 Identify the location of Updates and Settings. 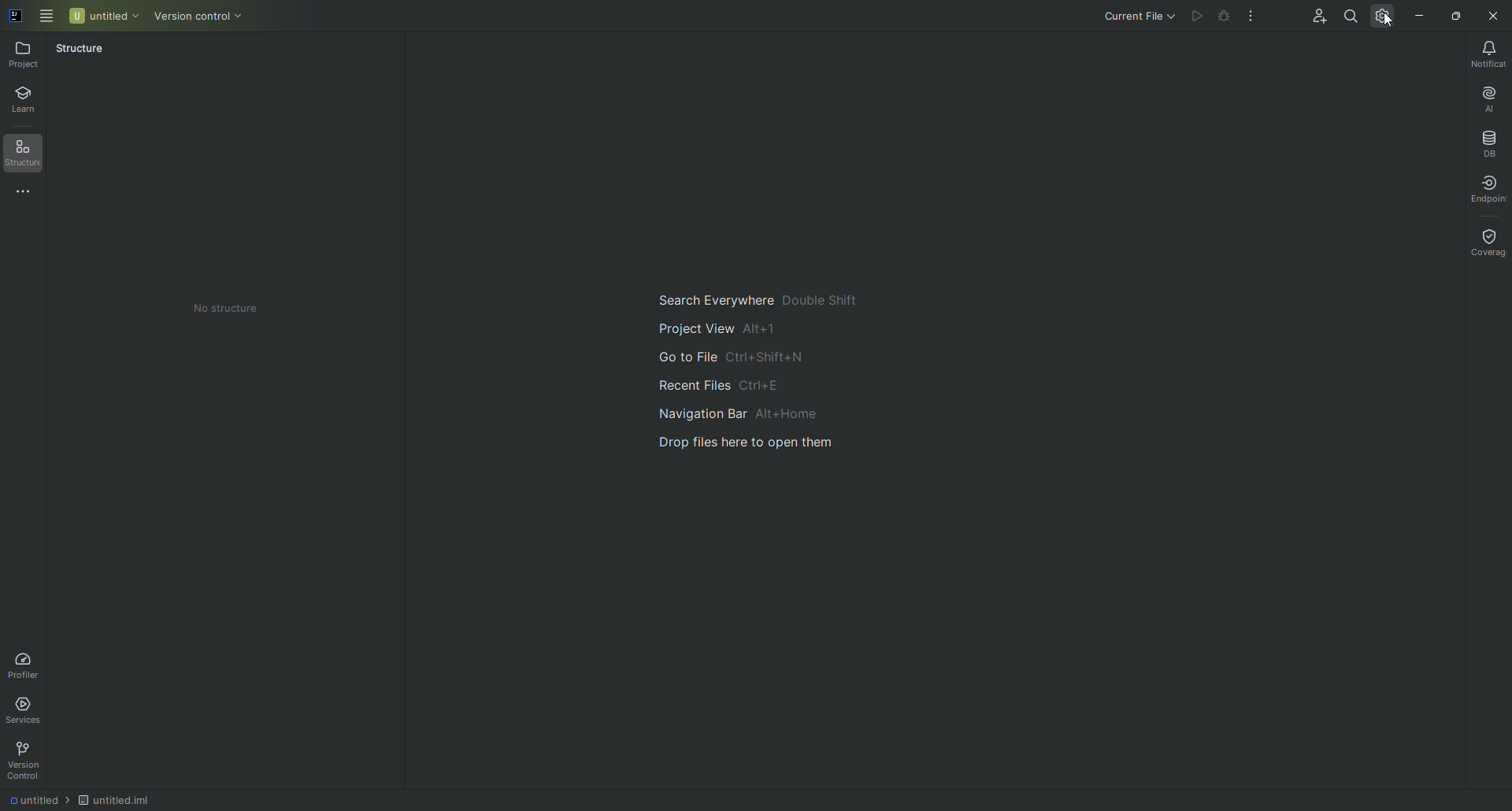
(1380, 15).